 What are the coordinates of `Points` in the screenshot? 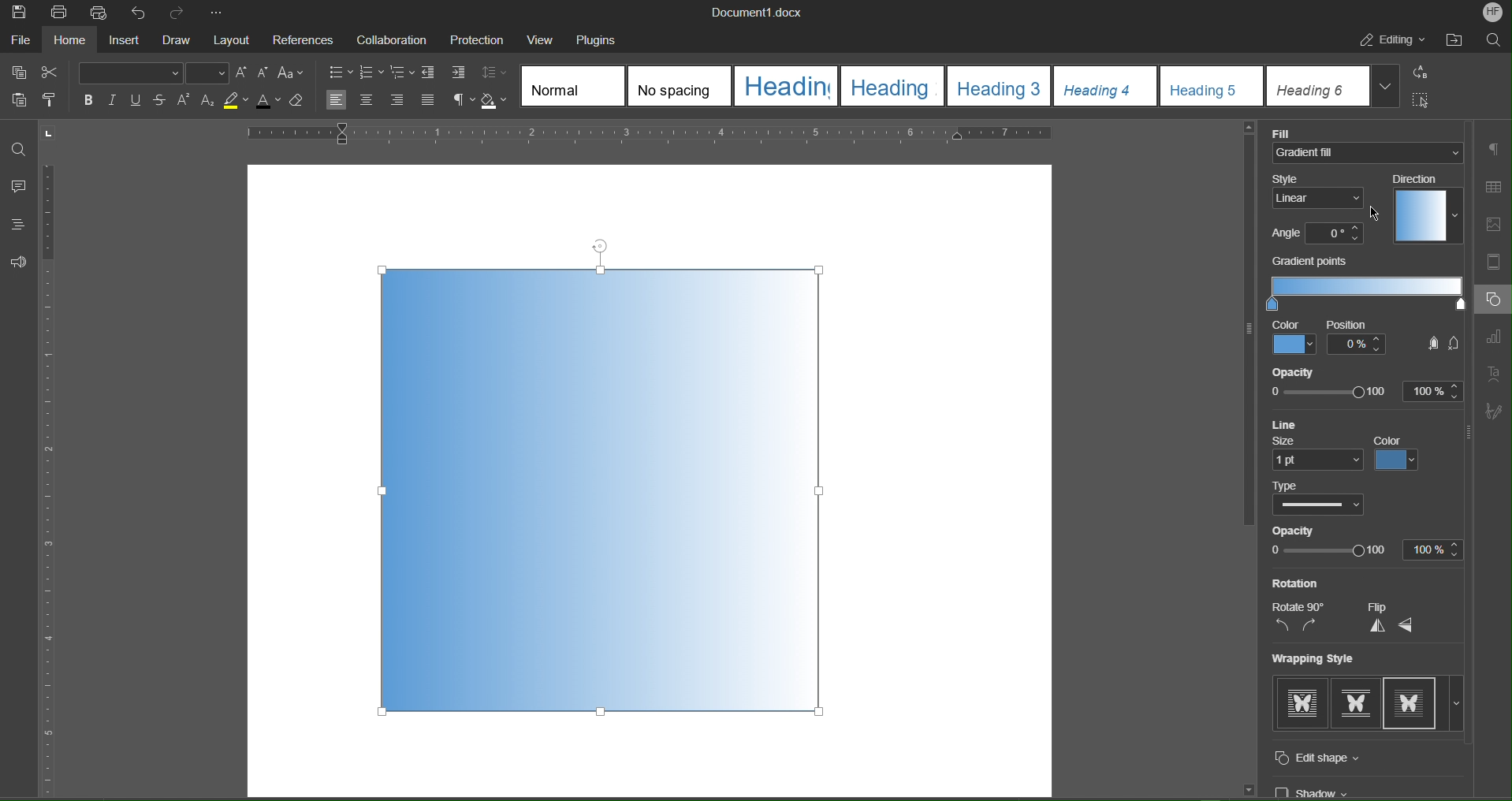 It's located at (1437, 344).